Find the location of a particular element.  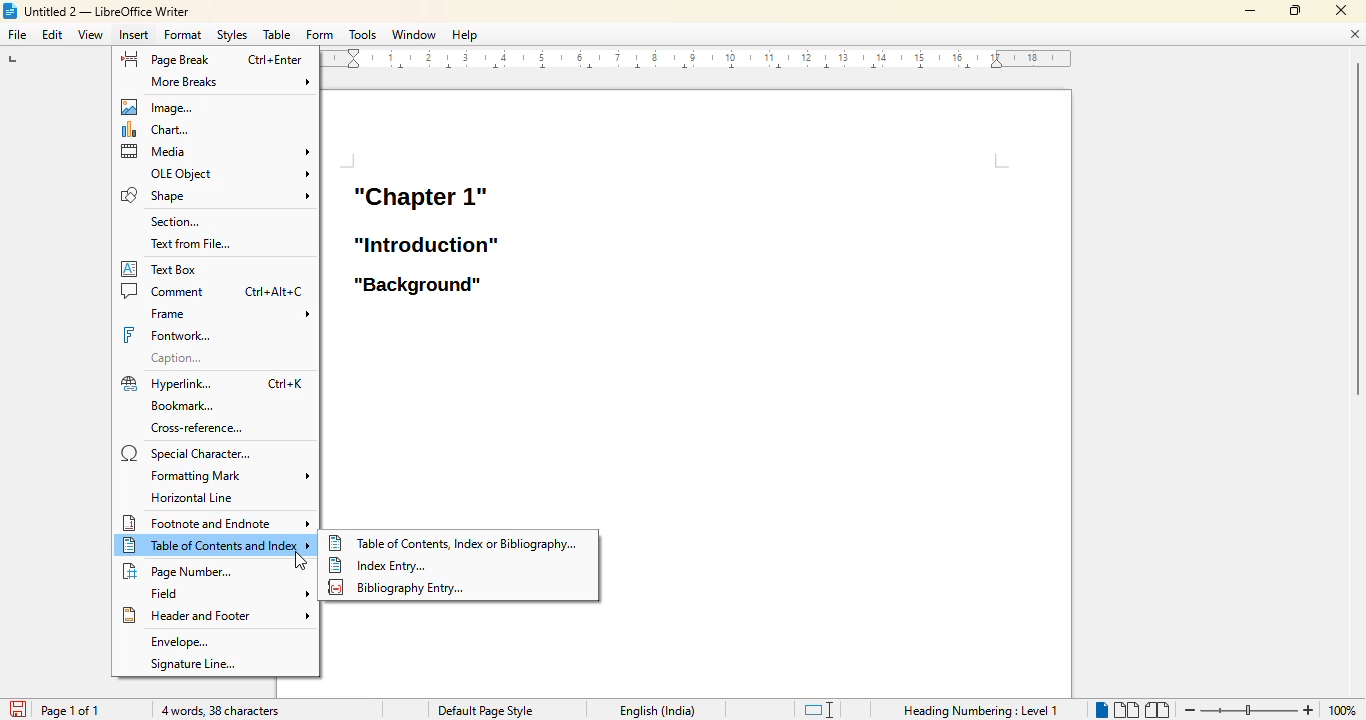

title is located at coordinates (96, 11).